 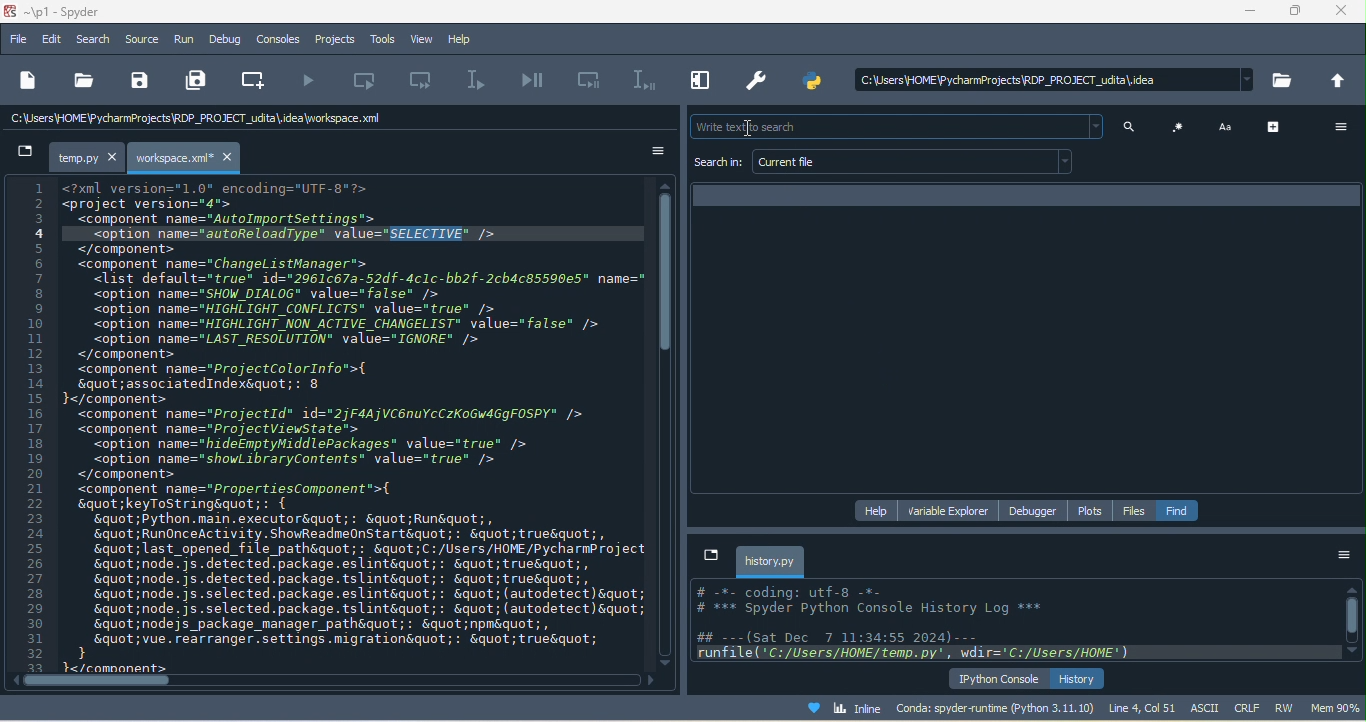 What do you see at coordinates (1179, 127) in the screenshot?
I see `icon` at bounding box center [1179, 127].